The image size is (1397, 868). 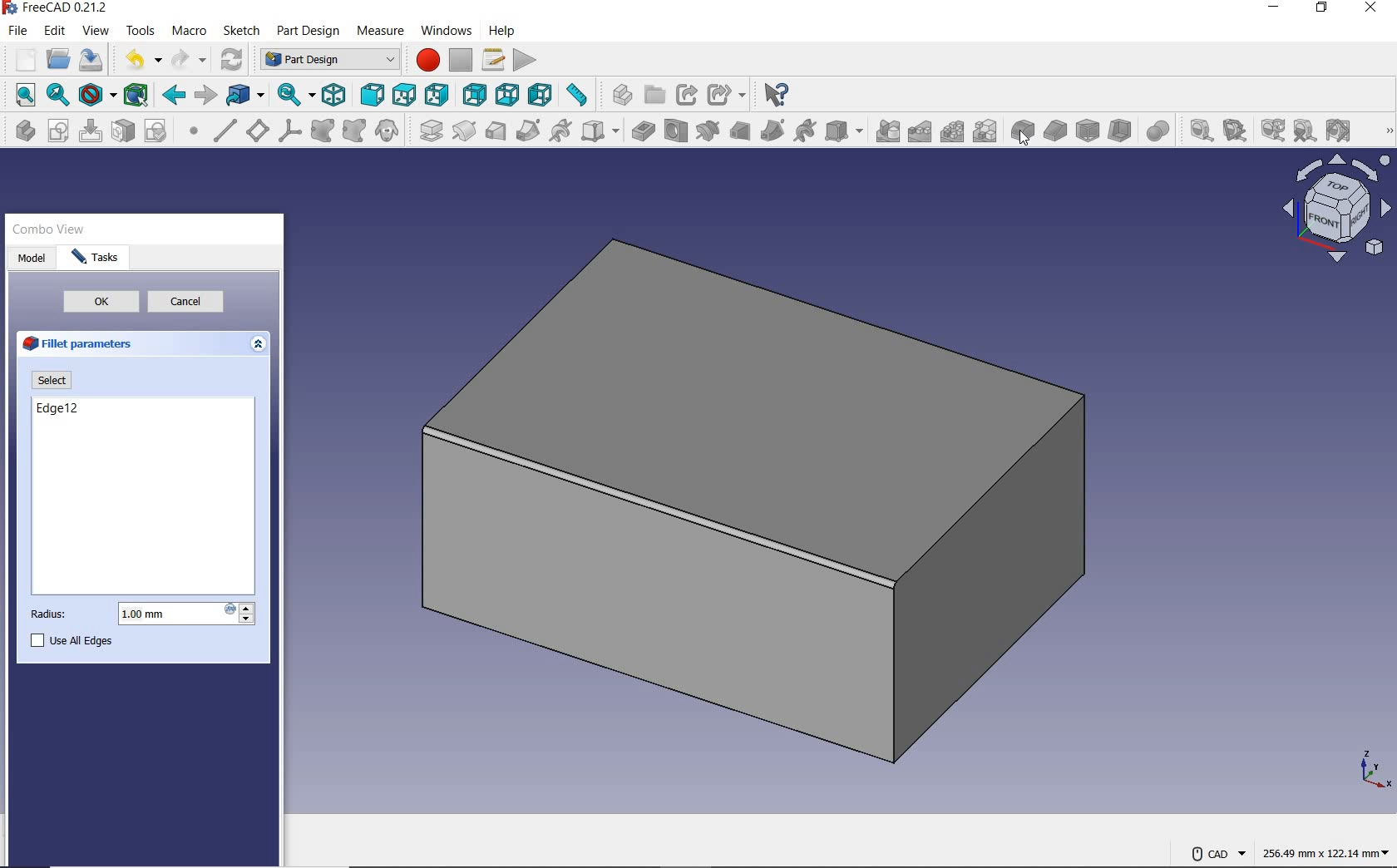 What do you see at coordinates (579, 96) in the screenshot?
I see `measure distance` at bounding box center [579, 96].